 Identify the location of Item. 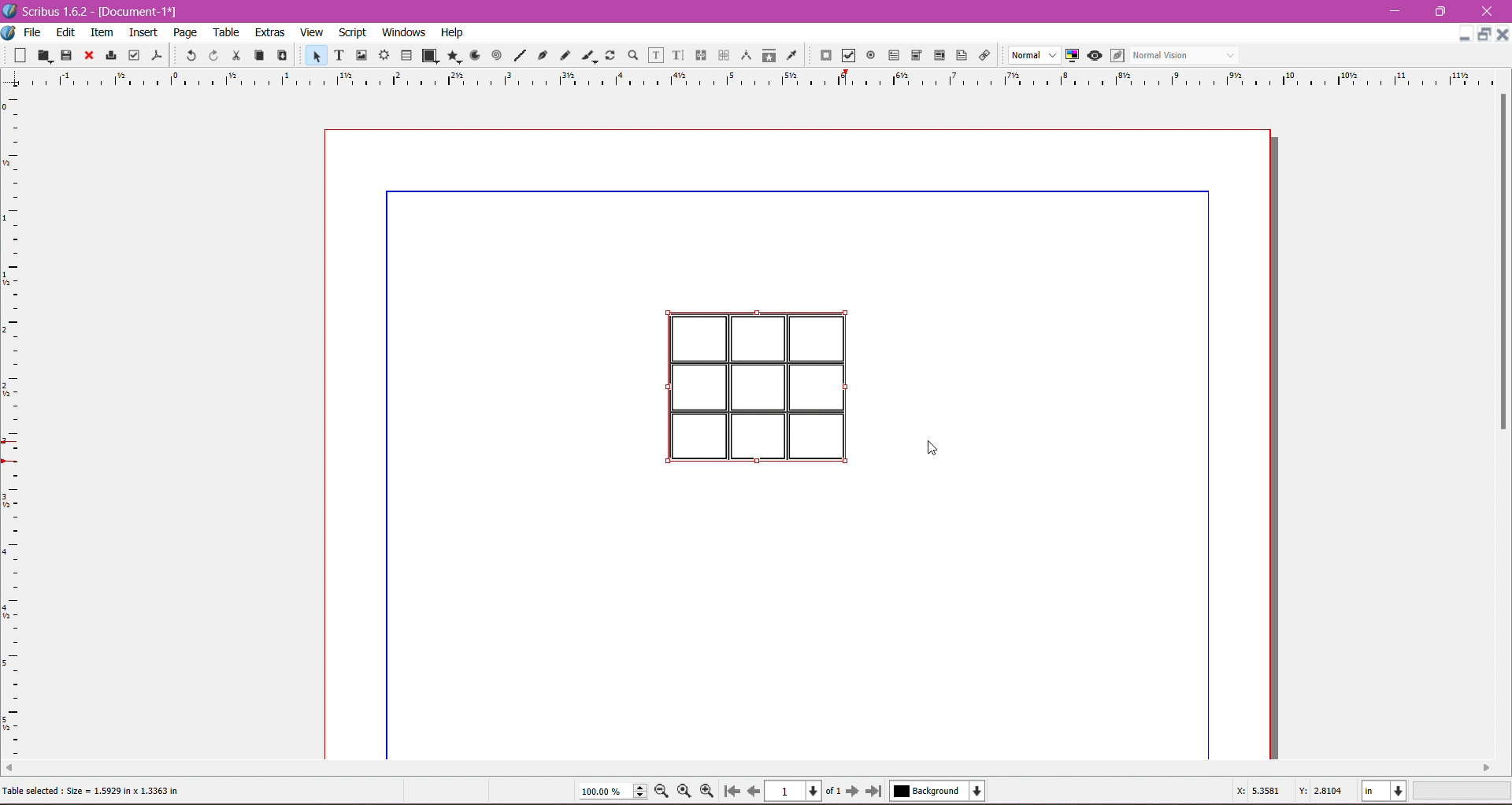
(102, 32).